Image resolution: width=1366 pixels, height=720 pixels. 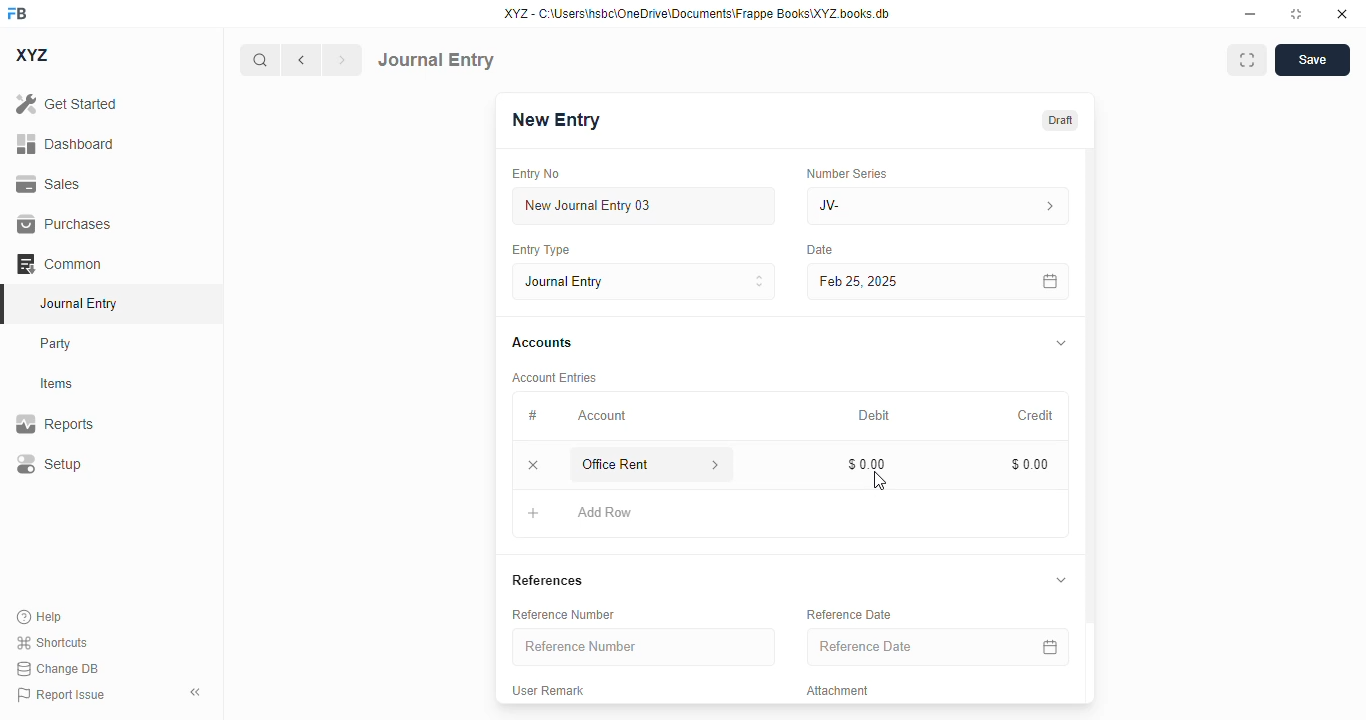 I want to click on dashboard, so click(x=66, y=144).